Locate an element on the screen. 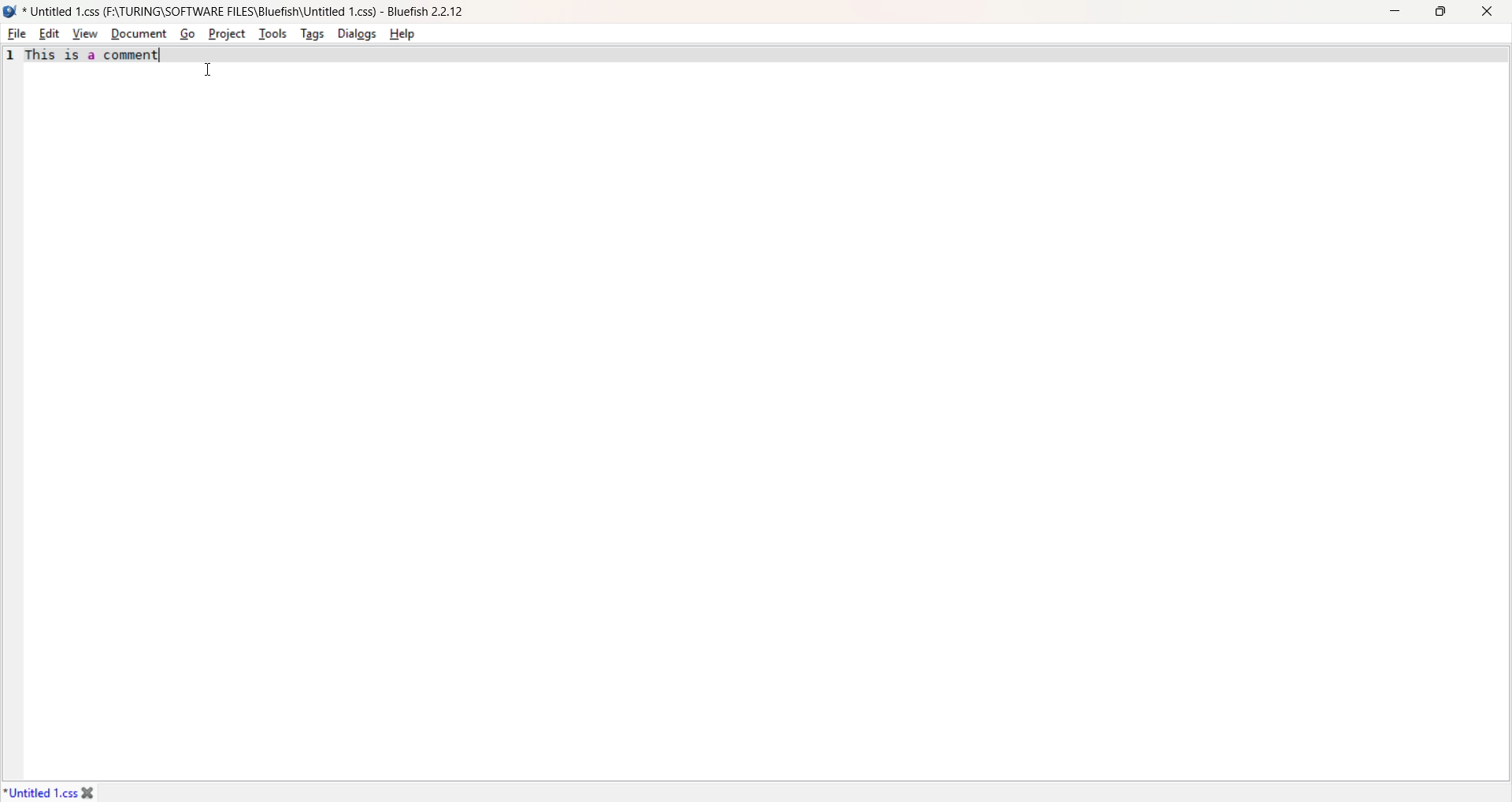 The height and width of the screenshot is (802, 1512). 1 is located at coordinates (9, 57).